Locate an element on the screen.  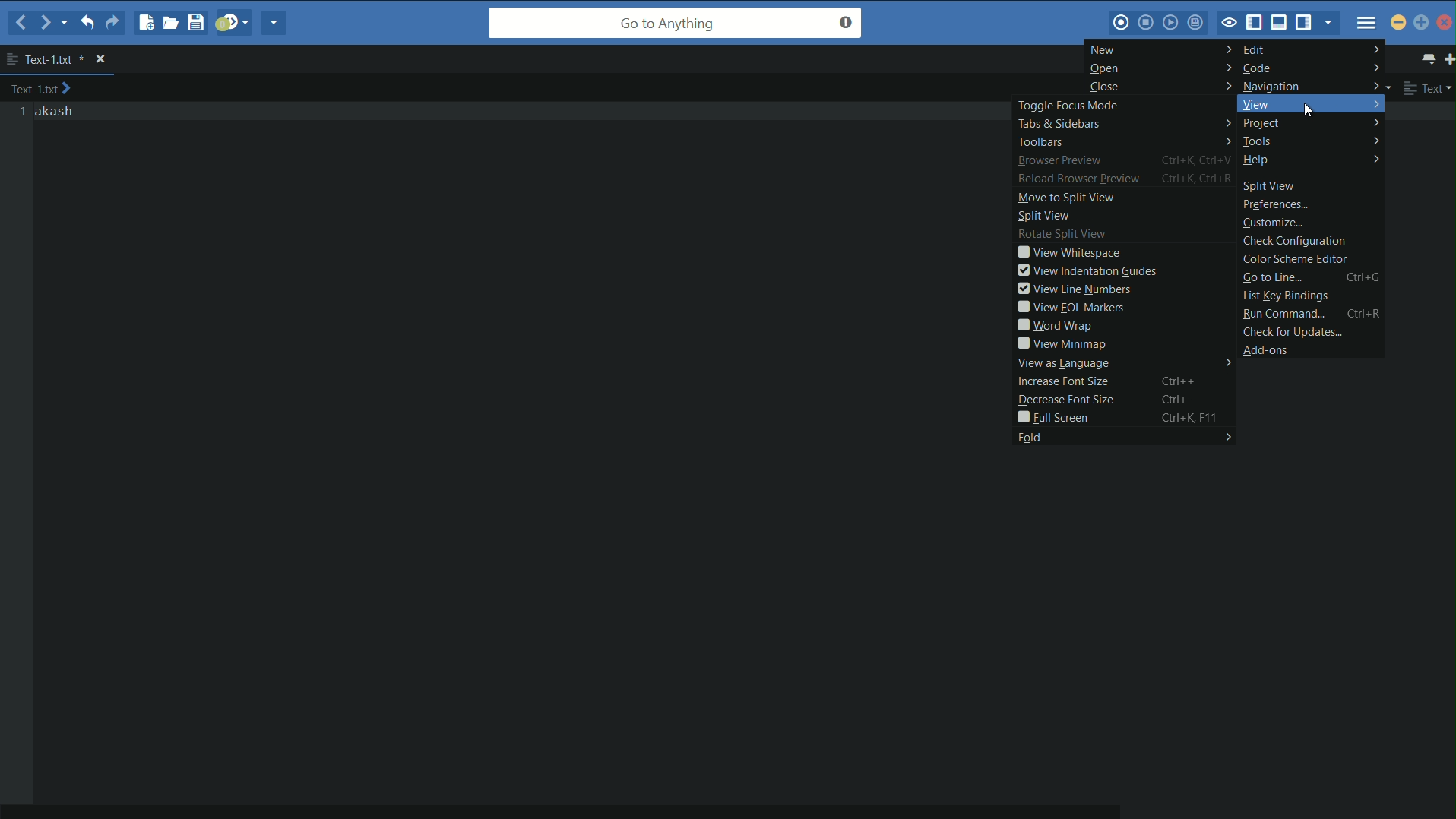
text-1 file is located at coordinates (55, 60).